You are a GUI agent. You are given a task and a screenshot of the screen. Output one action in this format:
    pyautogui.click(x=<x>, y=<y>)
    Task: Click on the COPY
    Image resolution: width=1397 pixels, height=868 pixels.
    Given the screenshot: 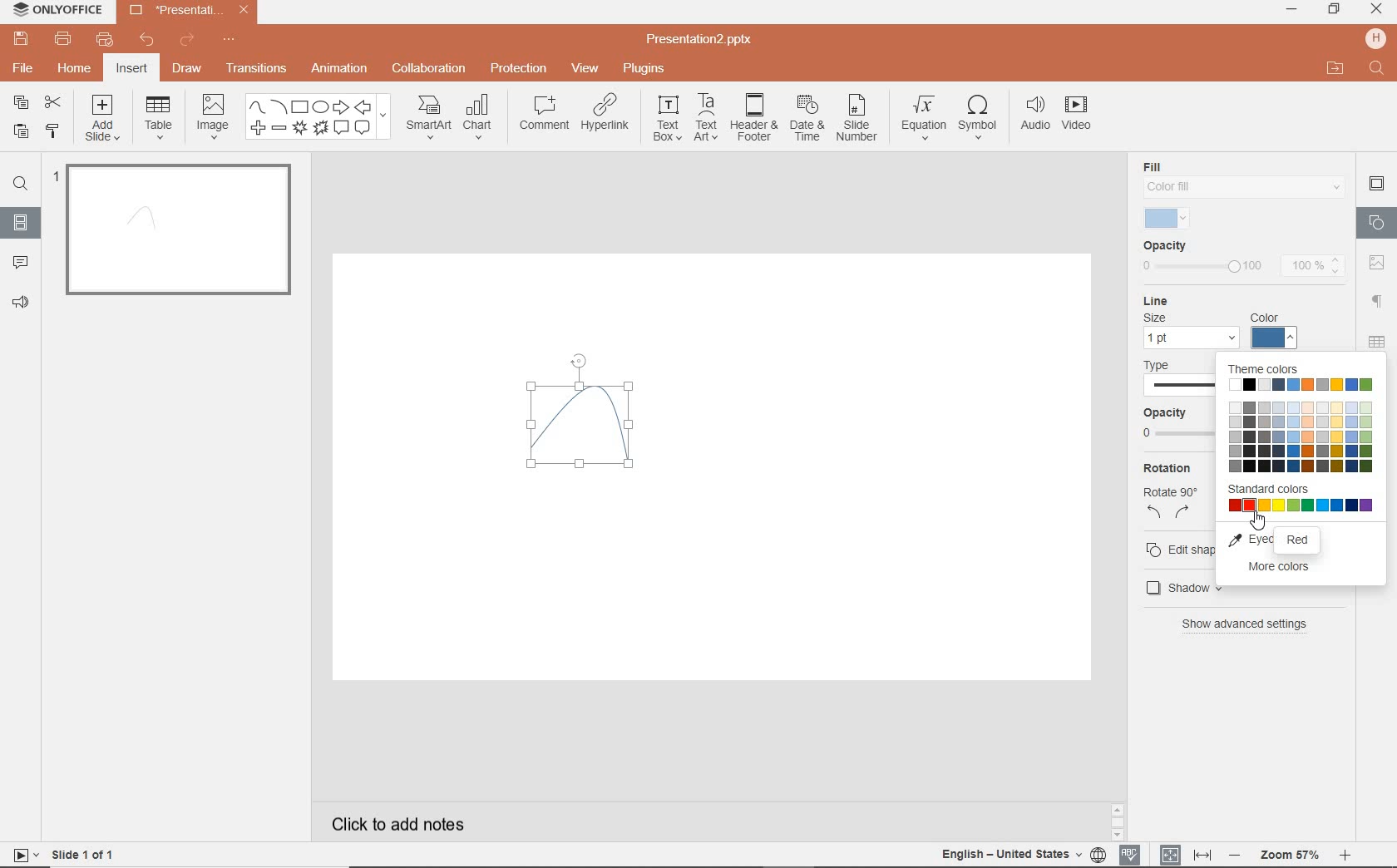 What is the action you would take?
    pyautogui.click(x=17, y=102)
    